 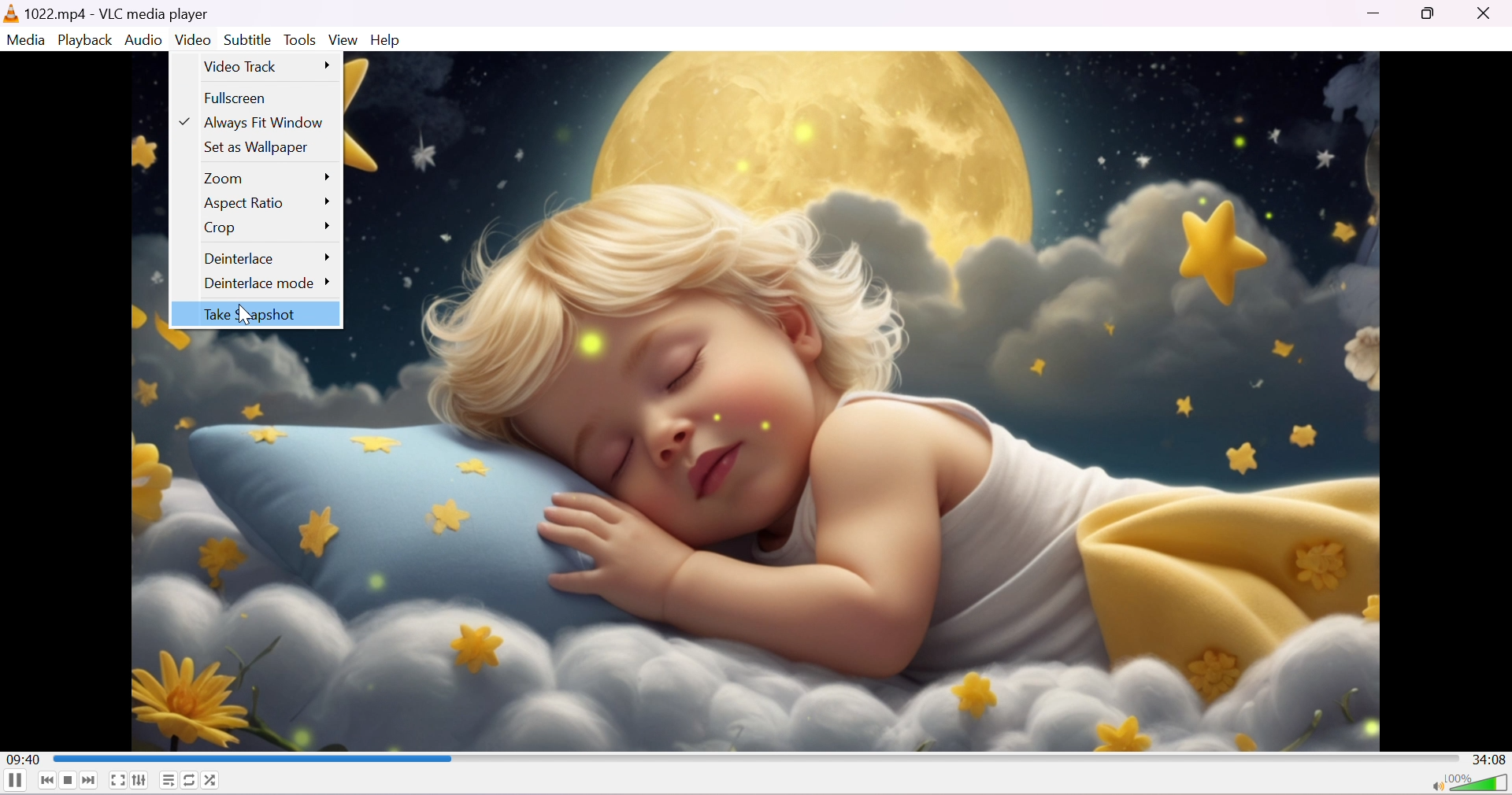 What do you see at coordinates (190, 779) in the screenshot?
I see `Click to toggle between loop all, loop one and no loop` at bounding box center [190, 779].